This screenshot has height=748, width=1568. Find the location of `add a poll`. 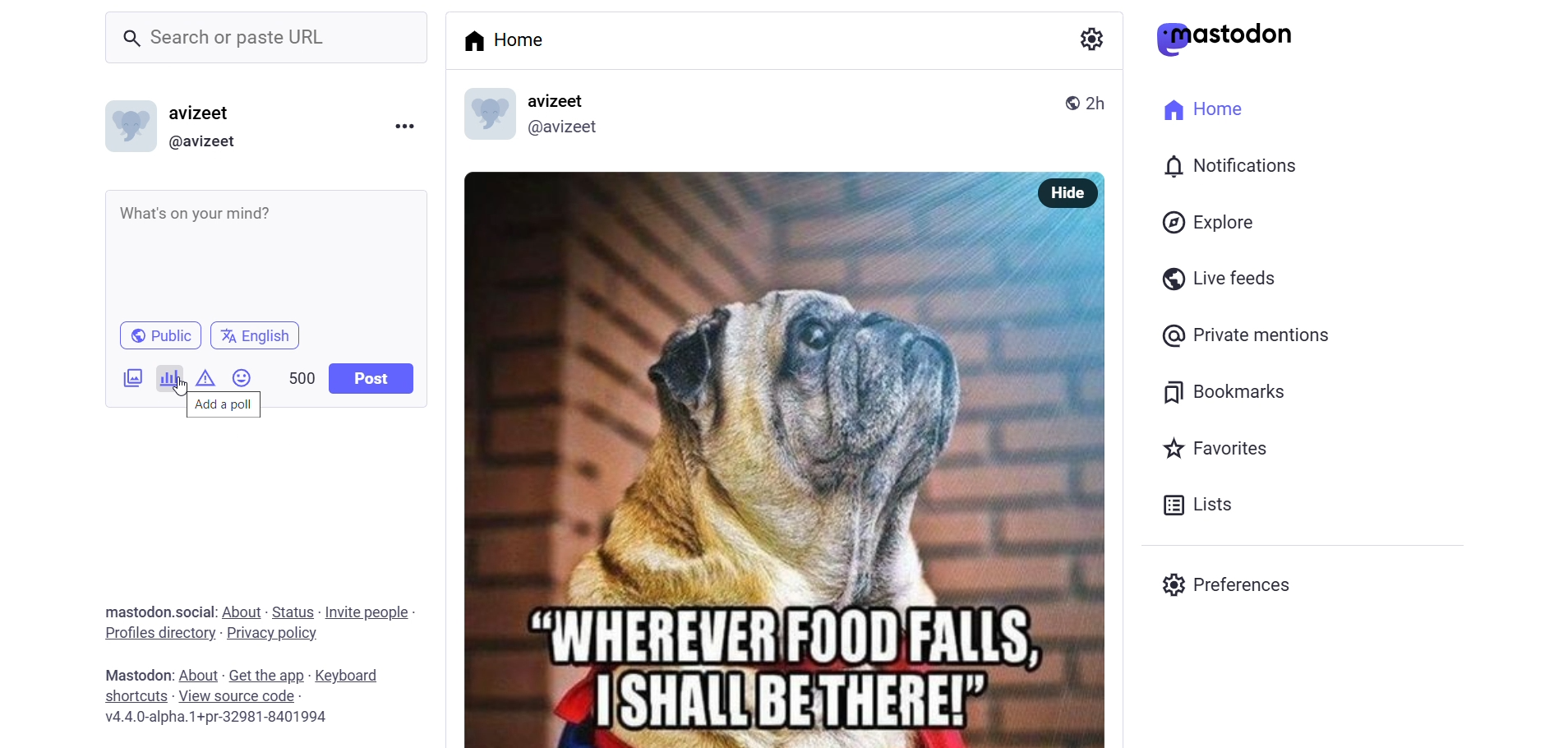

add a poll is located at coordinates (228, 407).